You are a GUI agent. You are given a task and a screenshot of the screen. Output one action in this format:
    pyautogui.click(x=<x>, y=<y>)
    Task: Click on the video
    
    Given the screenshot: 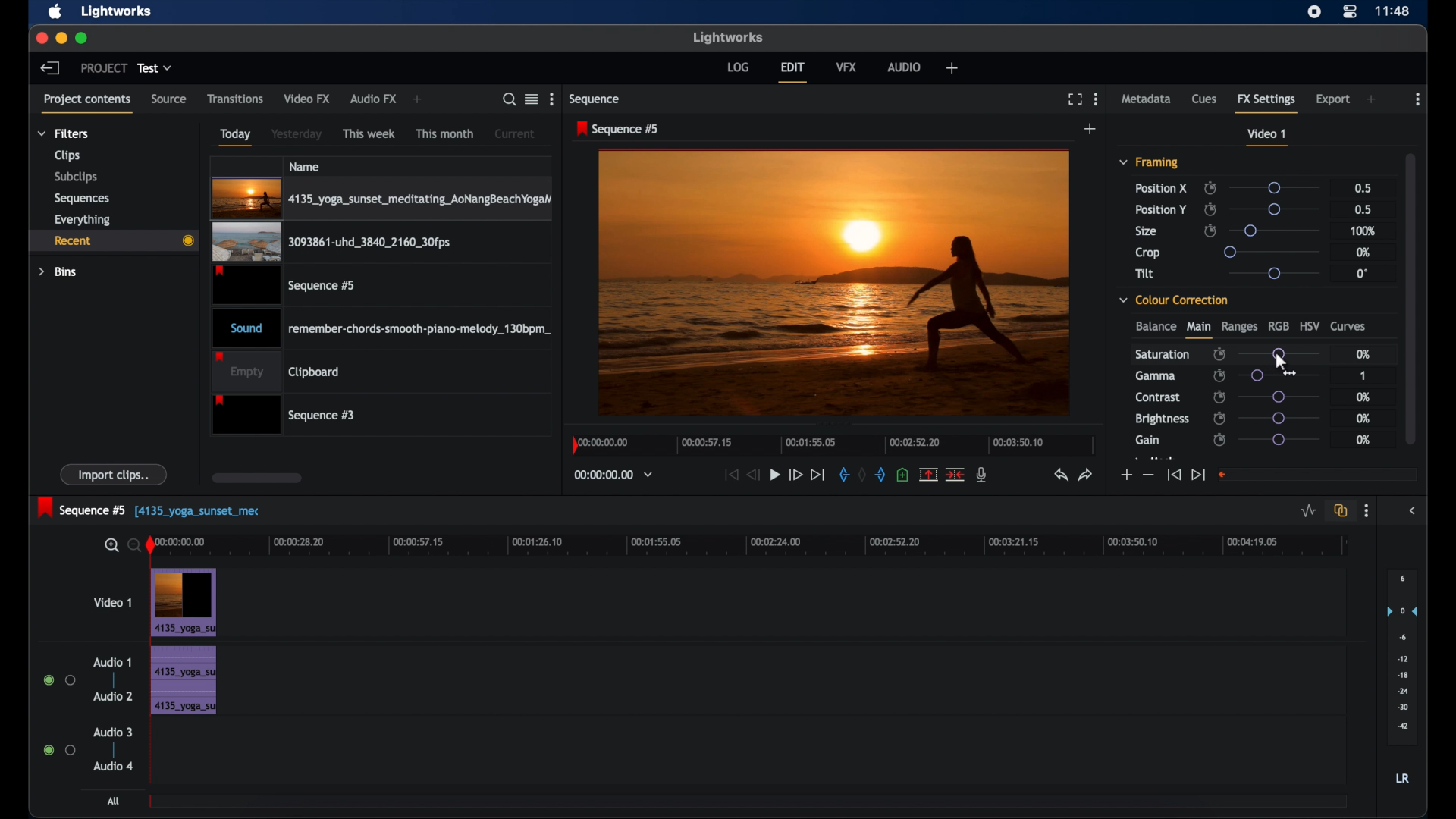 What is the action you would take?
    pyautogui.click(x=184, y=602)
    